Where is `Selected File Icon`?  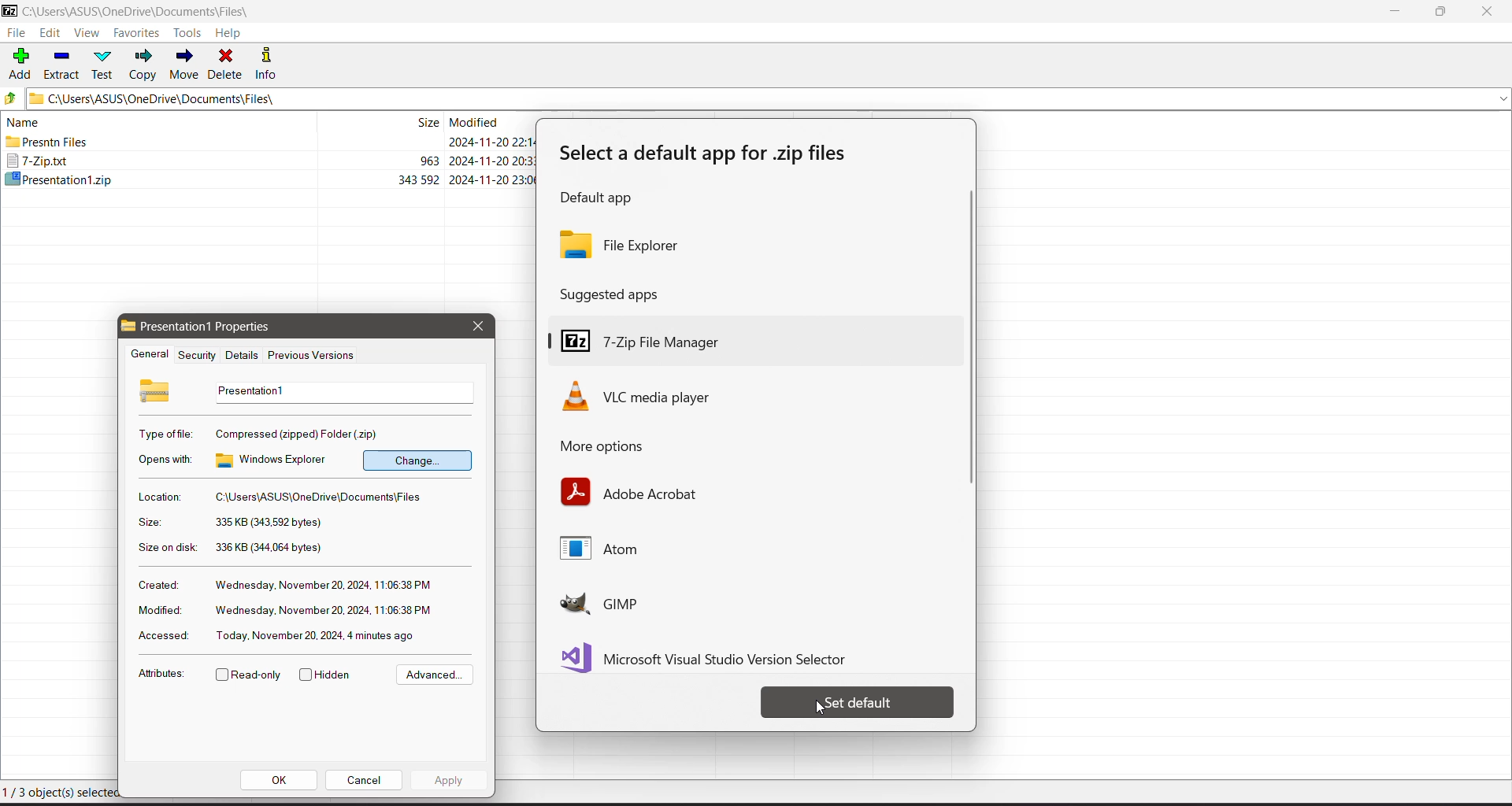
Selected File Icon is located at coordinates (157, 390).